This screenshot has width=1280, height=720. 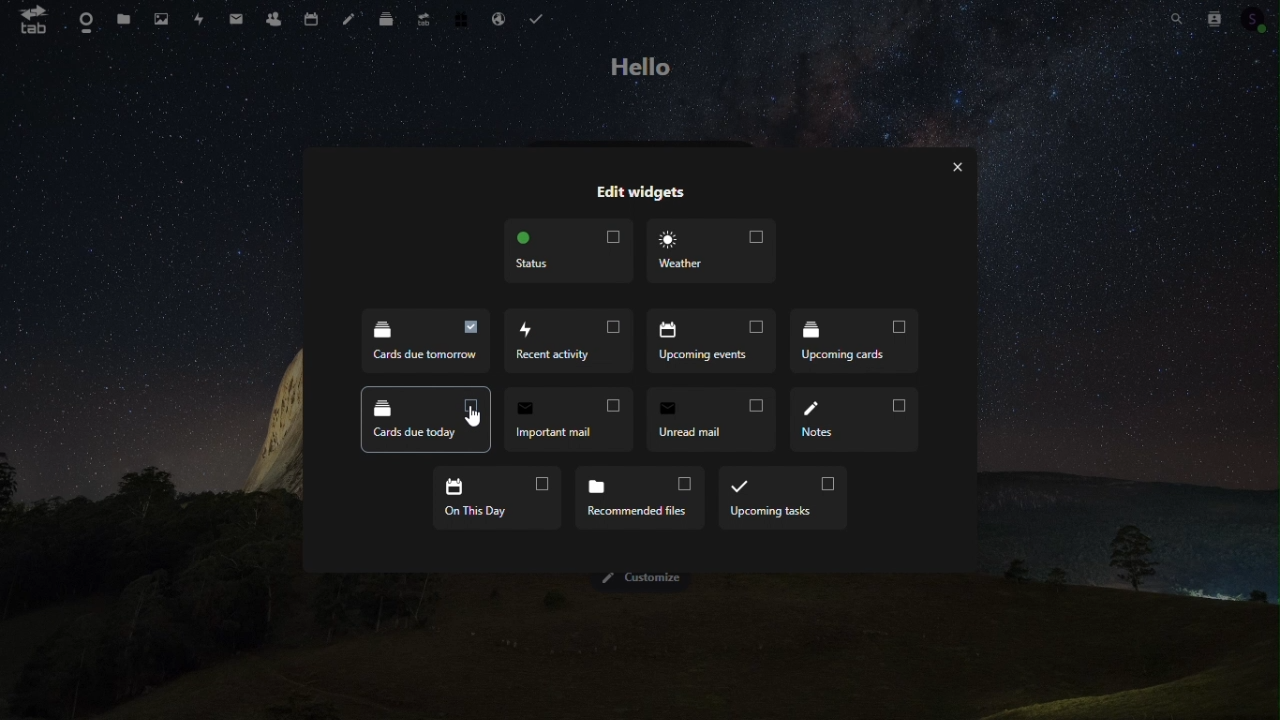 I want to click on cursor, so click(x=473, y=419).